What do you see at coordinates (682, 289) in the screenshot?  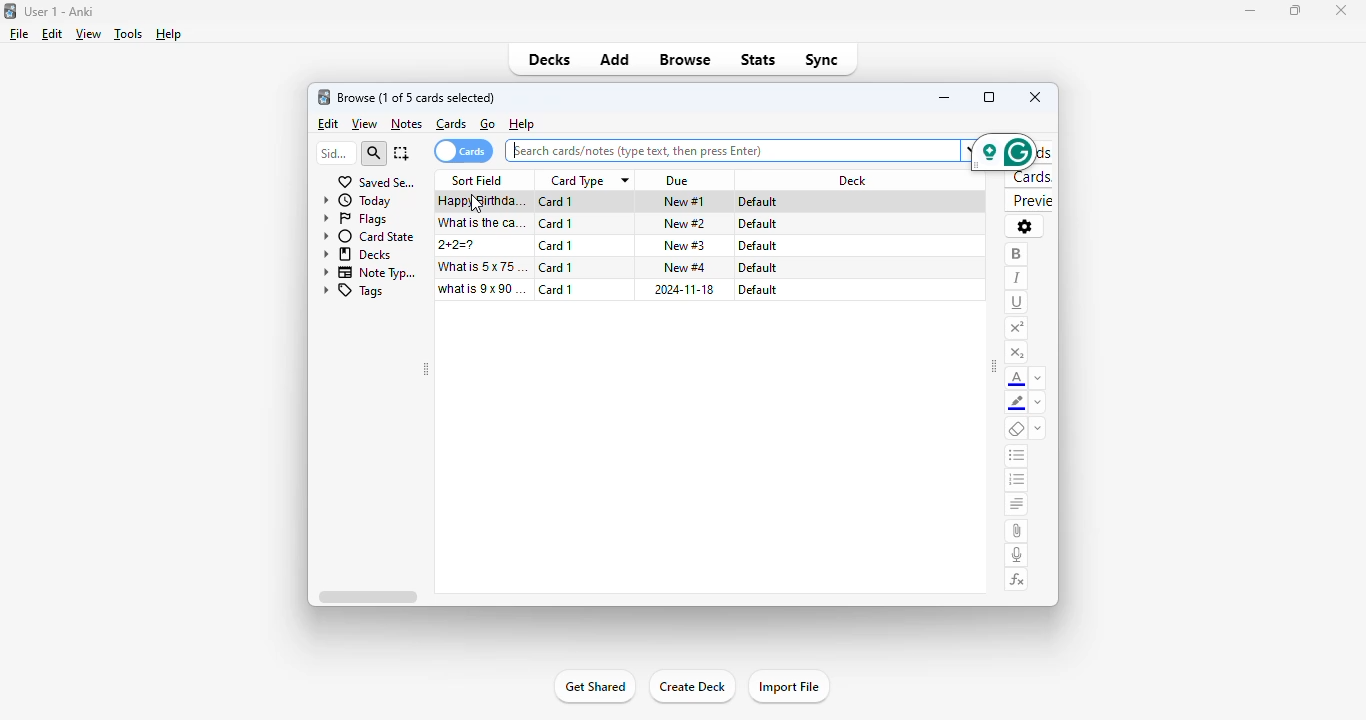 I see `2024-11-18` at bounding box center [682, 289].